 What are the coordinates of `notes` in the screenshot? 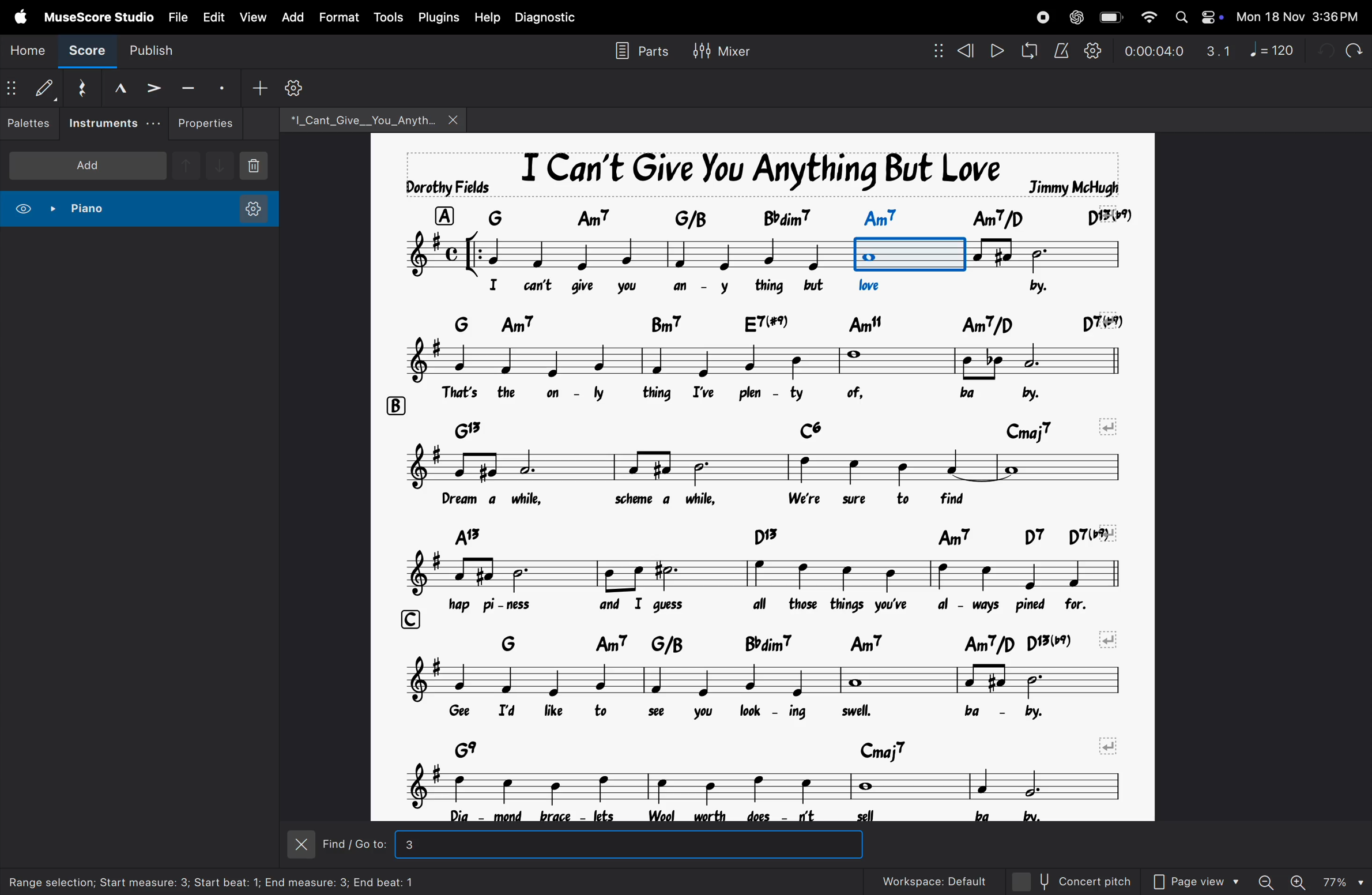 It's located at (620, 254).